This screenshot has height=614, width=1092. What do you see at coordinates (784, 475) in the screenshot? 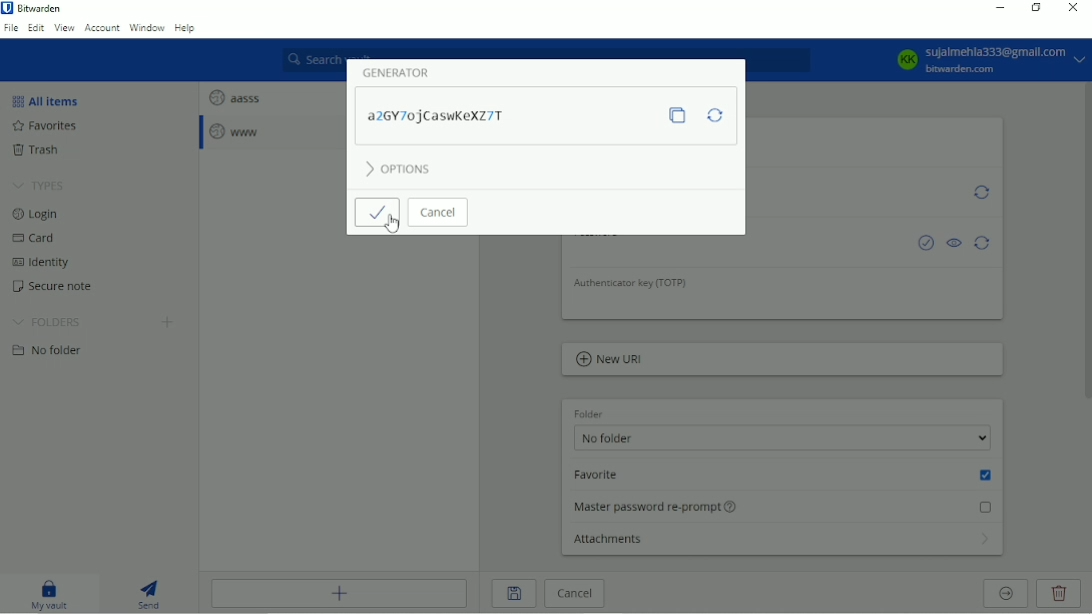
I see `Favorite` at bounding box center [784, 475].